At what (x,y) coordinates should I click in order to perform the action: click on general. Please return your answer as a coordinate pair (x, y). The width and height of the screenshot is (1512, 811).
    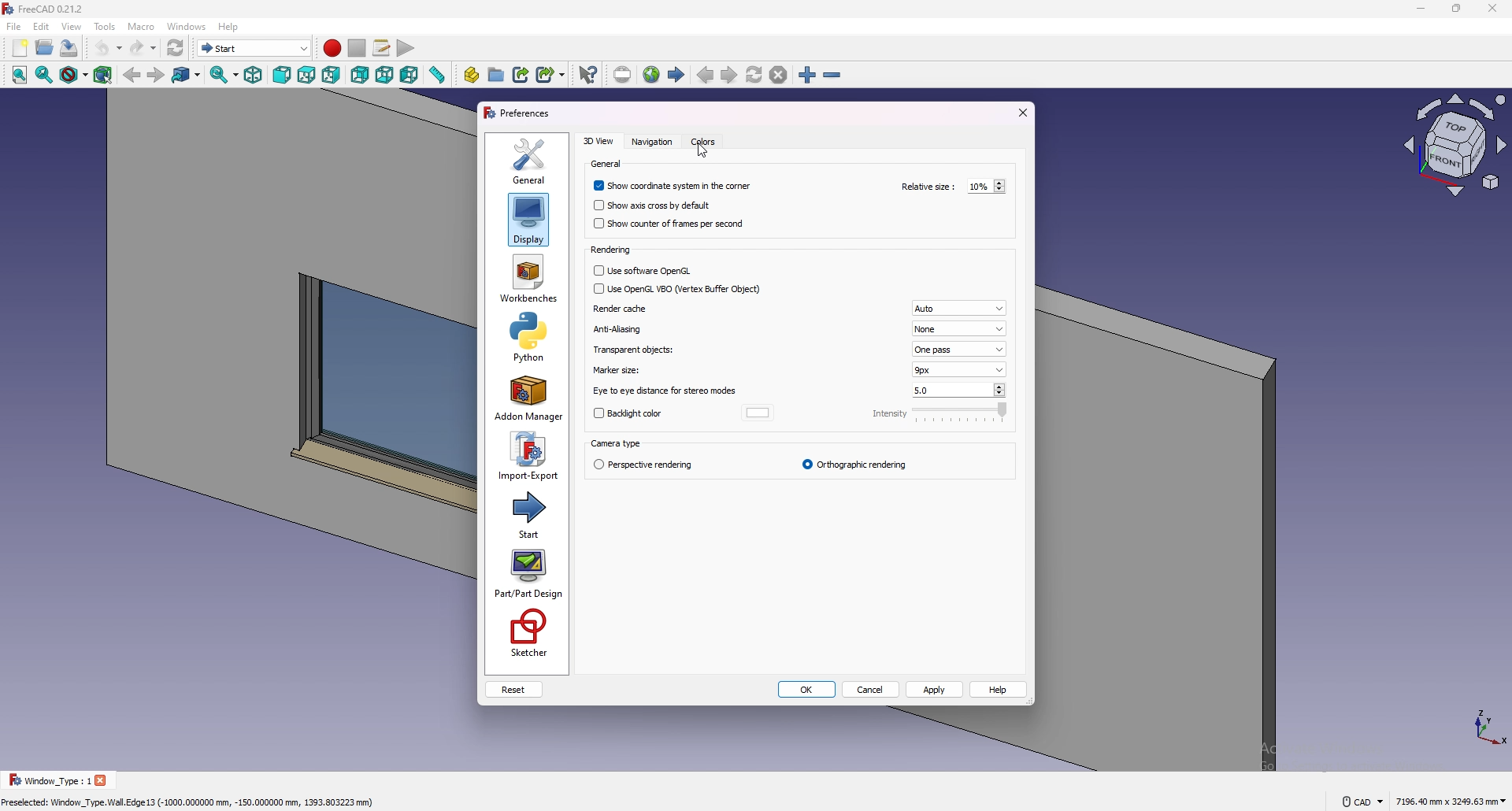
    Looking at the image, I should click on (607, 164).